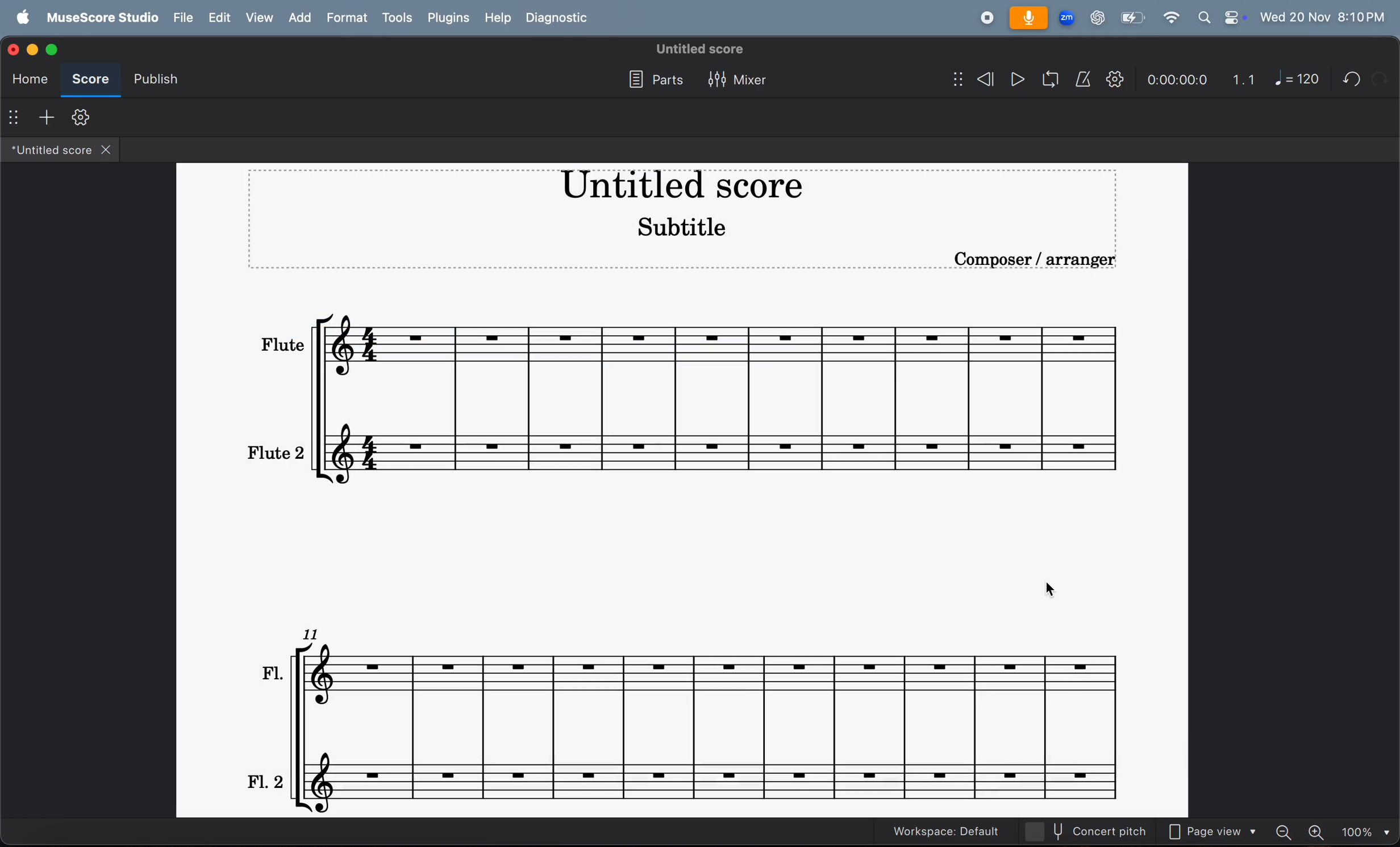 The height and width of the screenshot is (847, 1400). What do you see at coordinates (1014, 78) in the screenshot?
I see `play` at bounding box center [1014, 78].